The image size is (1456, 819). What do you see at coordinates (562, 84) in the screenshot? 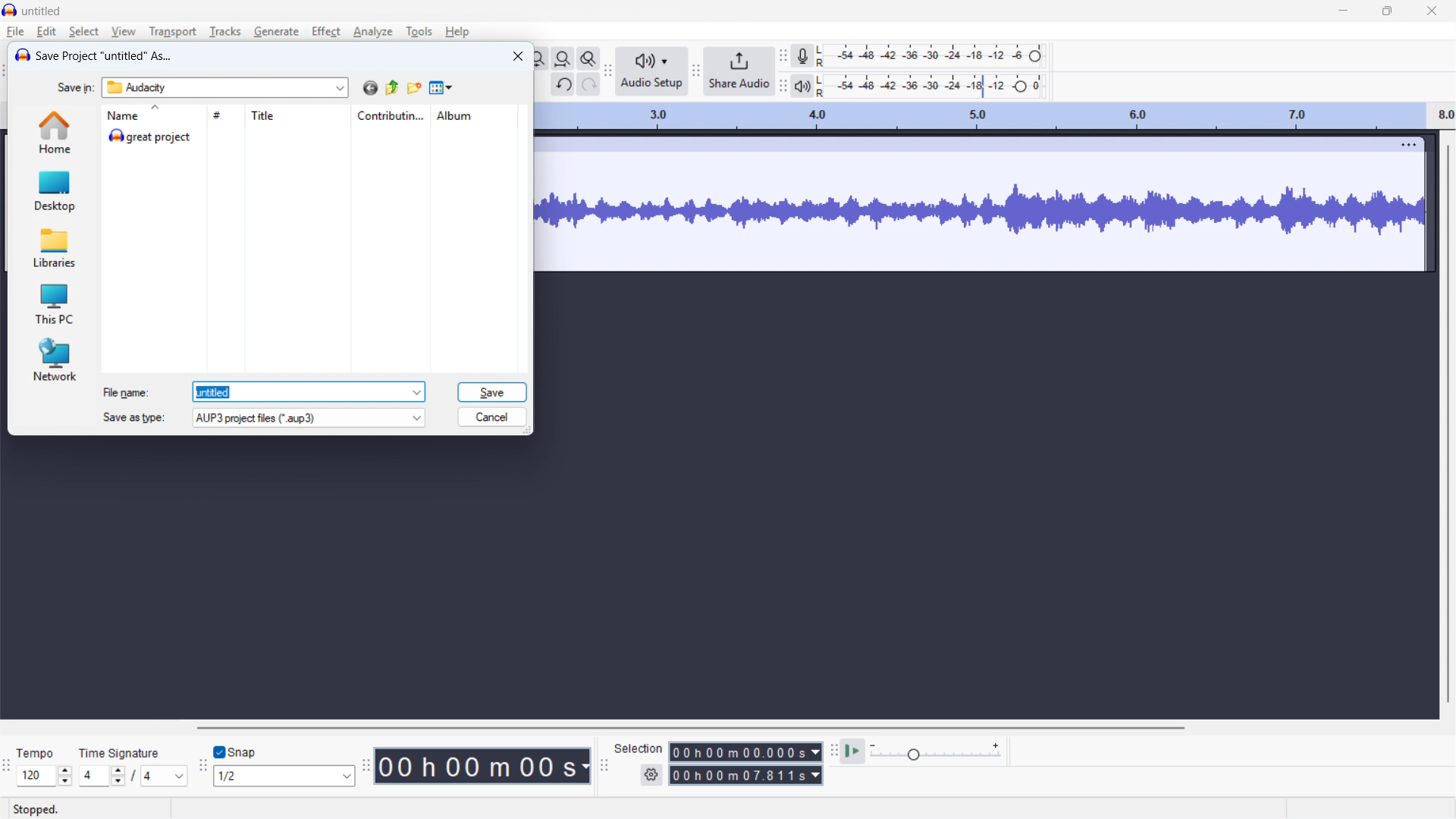
I see `undo` at bounding box center [562, 84].